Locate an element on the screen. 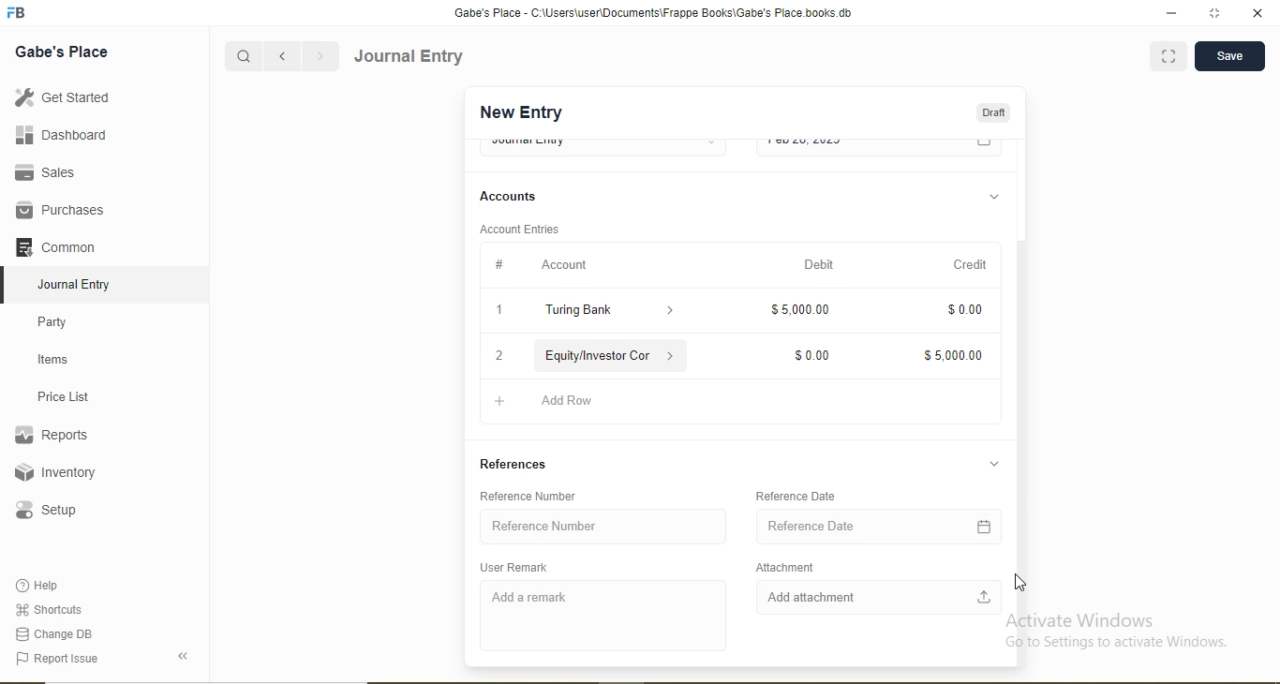 The image size is (1280, 684). References is located at coordinates (514, 464).